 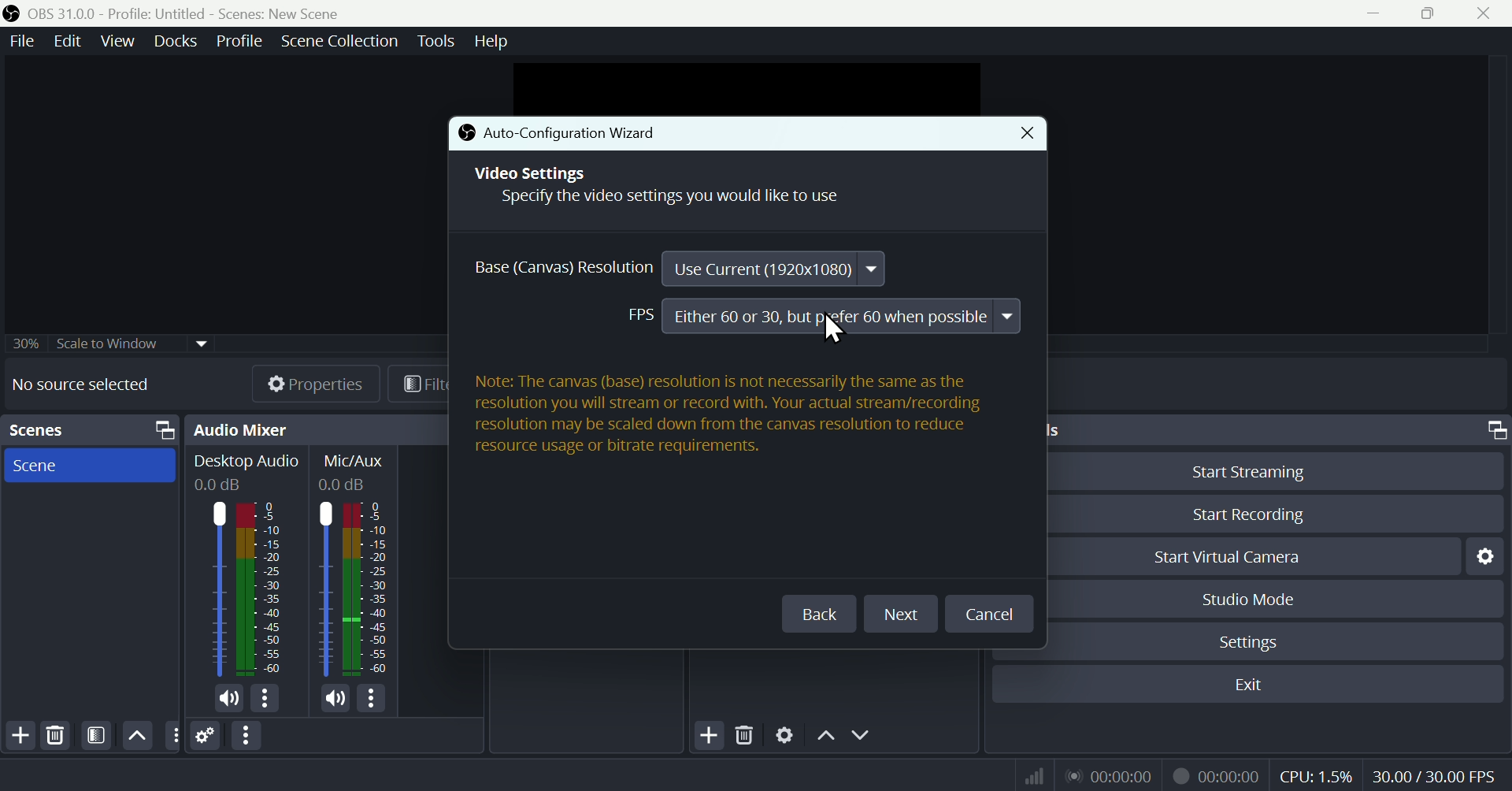 What do you see at coordinates (356, 565) in the screenshot?
I see `Mic/Aux` at bounding box center [356, 565].